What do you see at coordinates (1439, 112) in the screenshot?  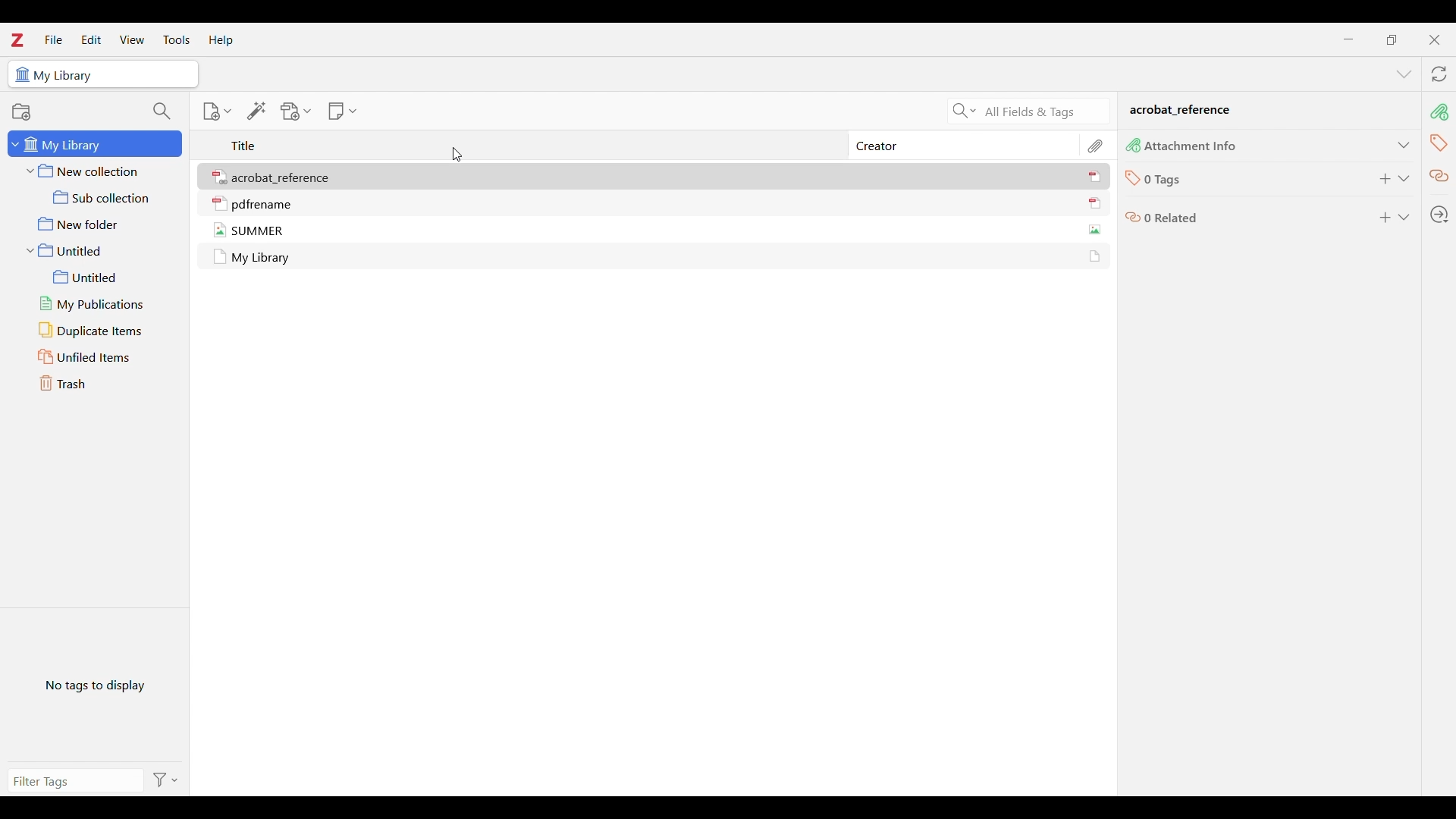 I see `Attachment info` at bounding box center [1439, 112].